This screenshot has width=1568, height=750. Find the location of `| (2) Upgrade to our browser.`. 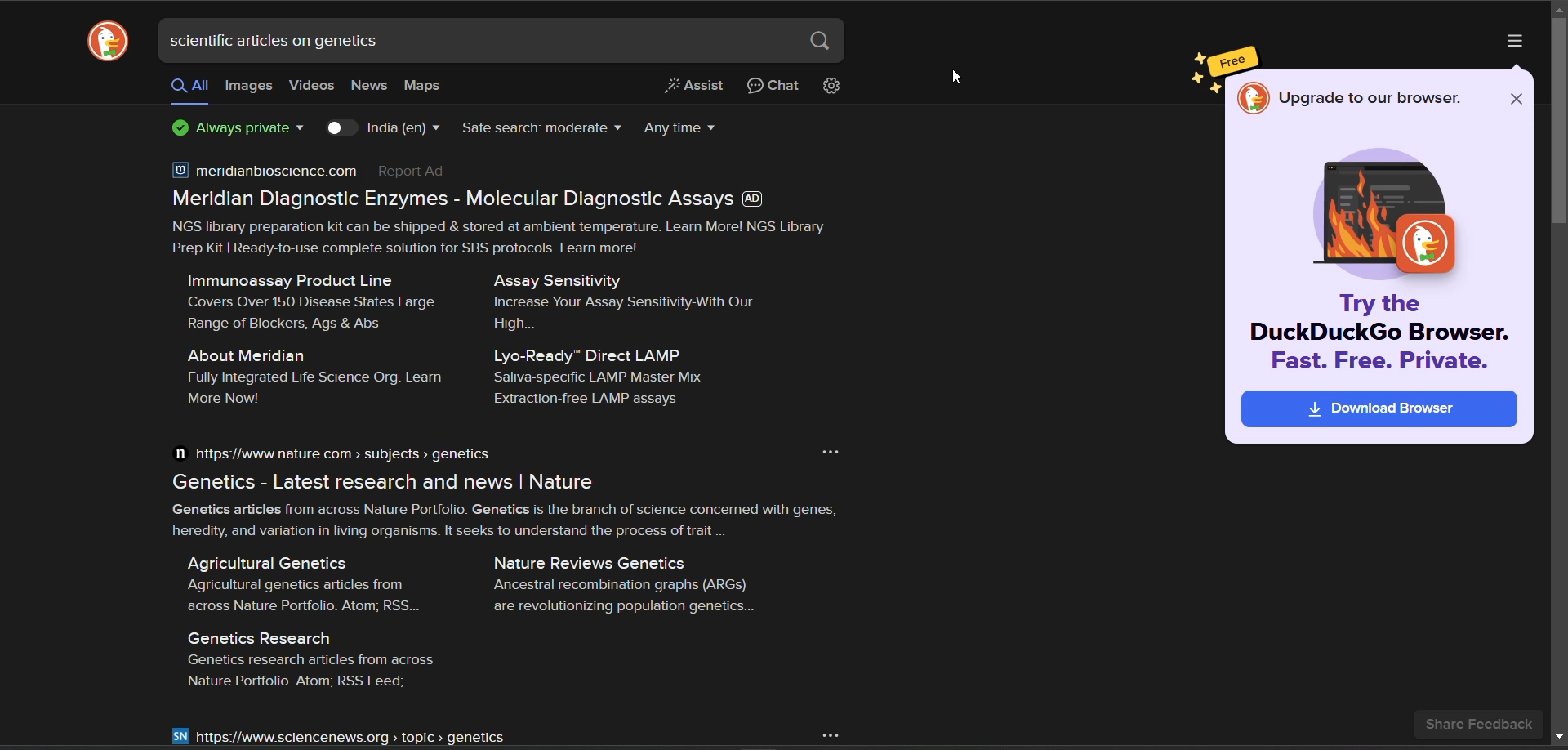

| (2) Upgrade to our browser. is located at coordinates (1352, 99).